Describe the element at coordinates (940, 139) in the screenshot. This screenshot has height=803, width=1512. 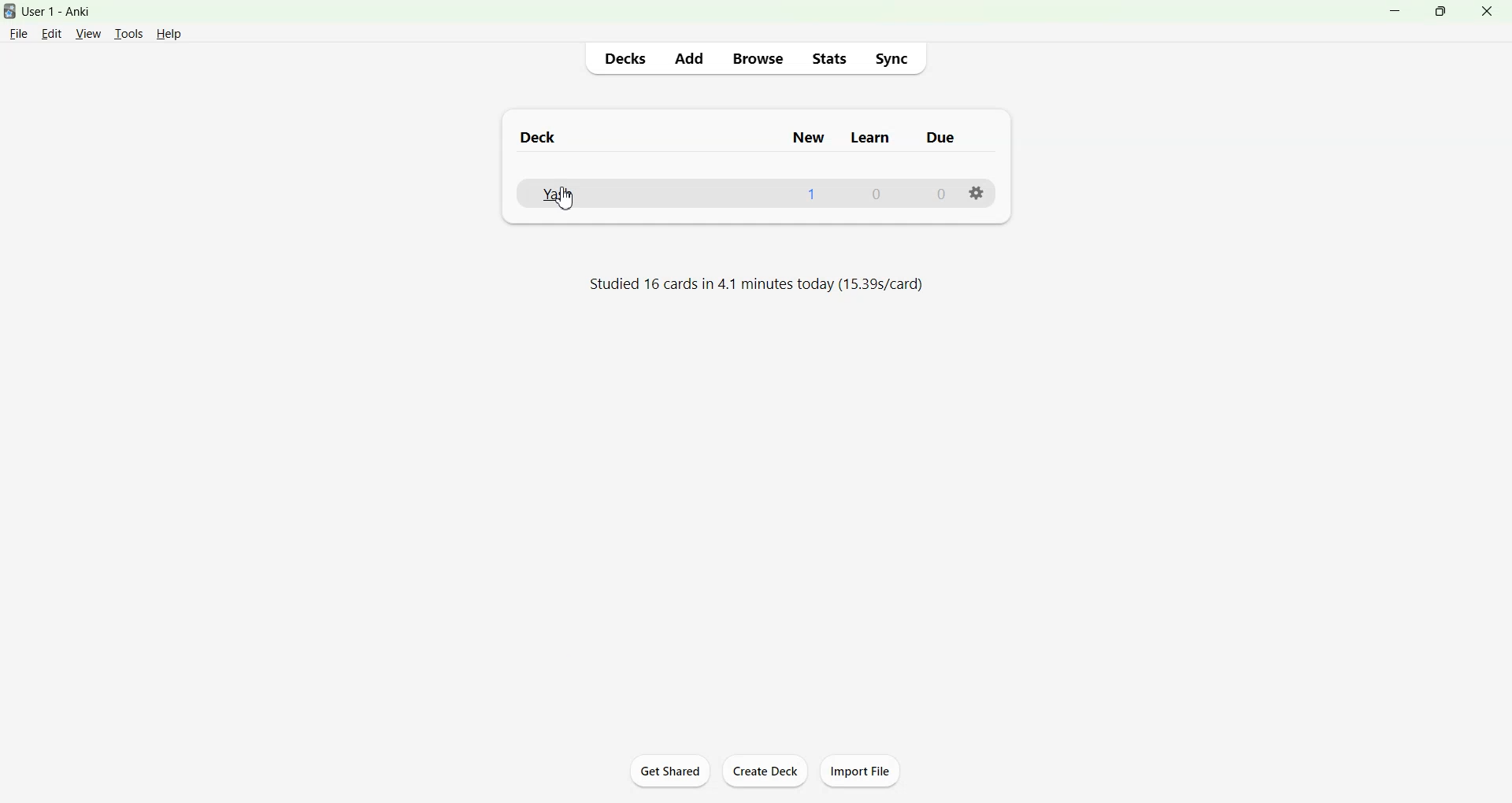
I see `Due` at that location.